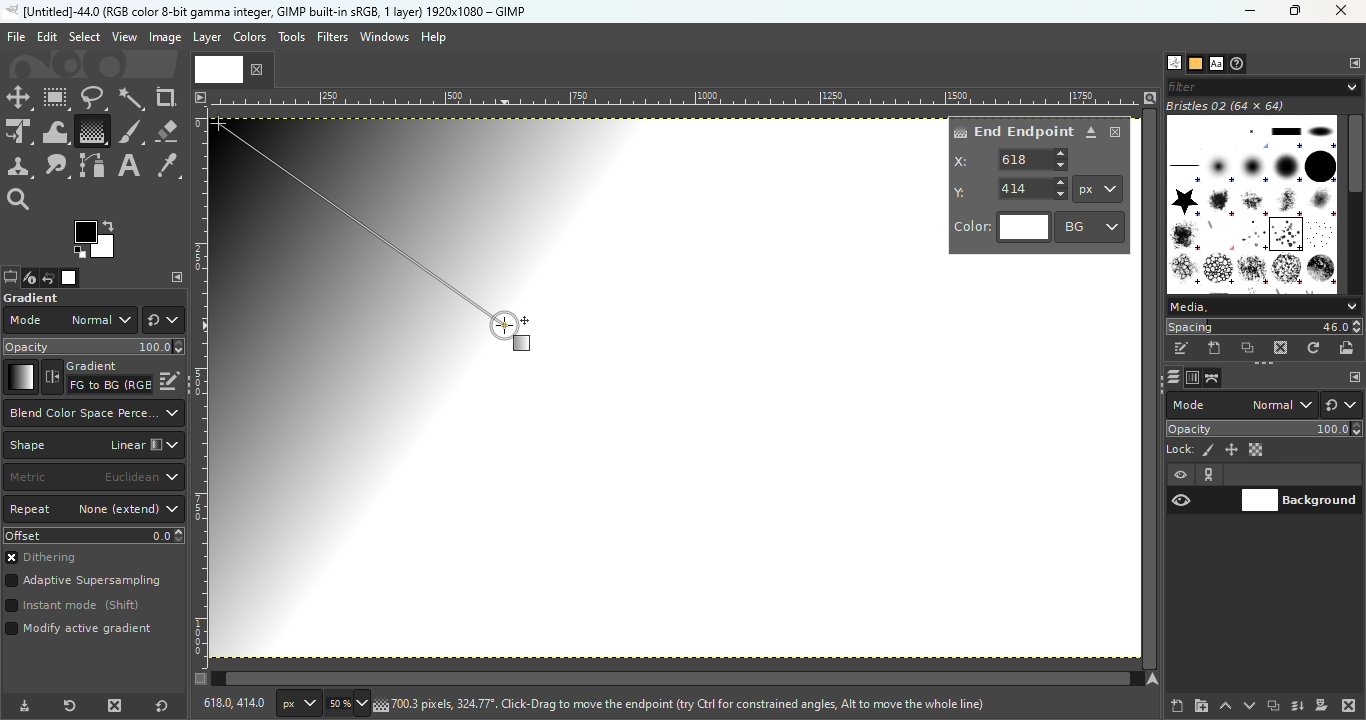  What do you see at coordinates (67, 707) in the screenshot?
I see `Reset tool preset` at bounding box center [67, 707].